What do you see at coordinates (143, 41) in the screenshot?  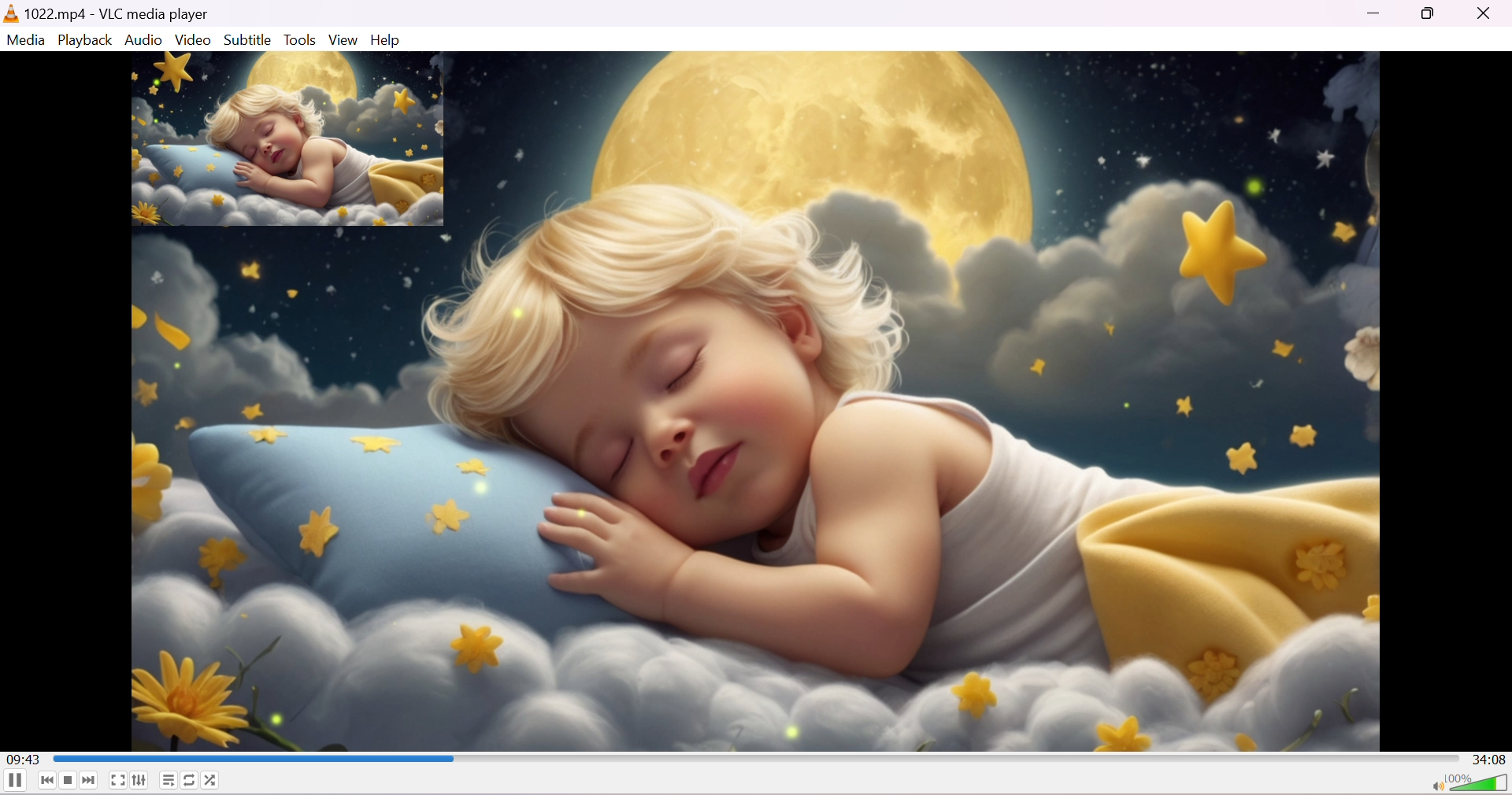 I see `Audio` at bounding box center [143, 41].